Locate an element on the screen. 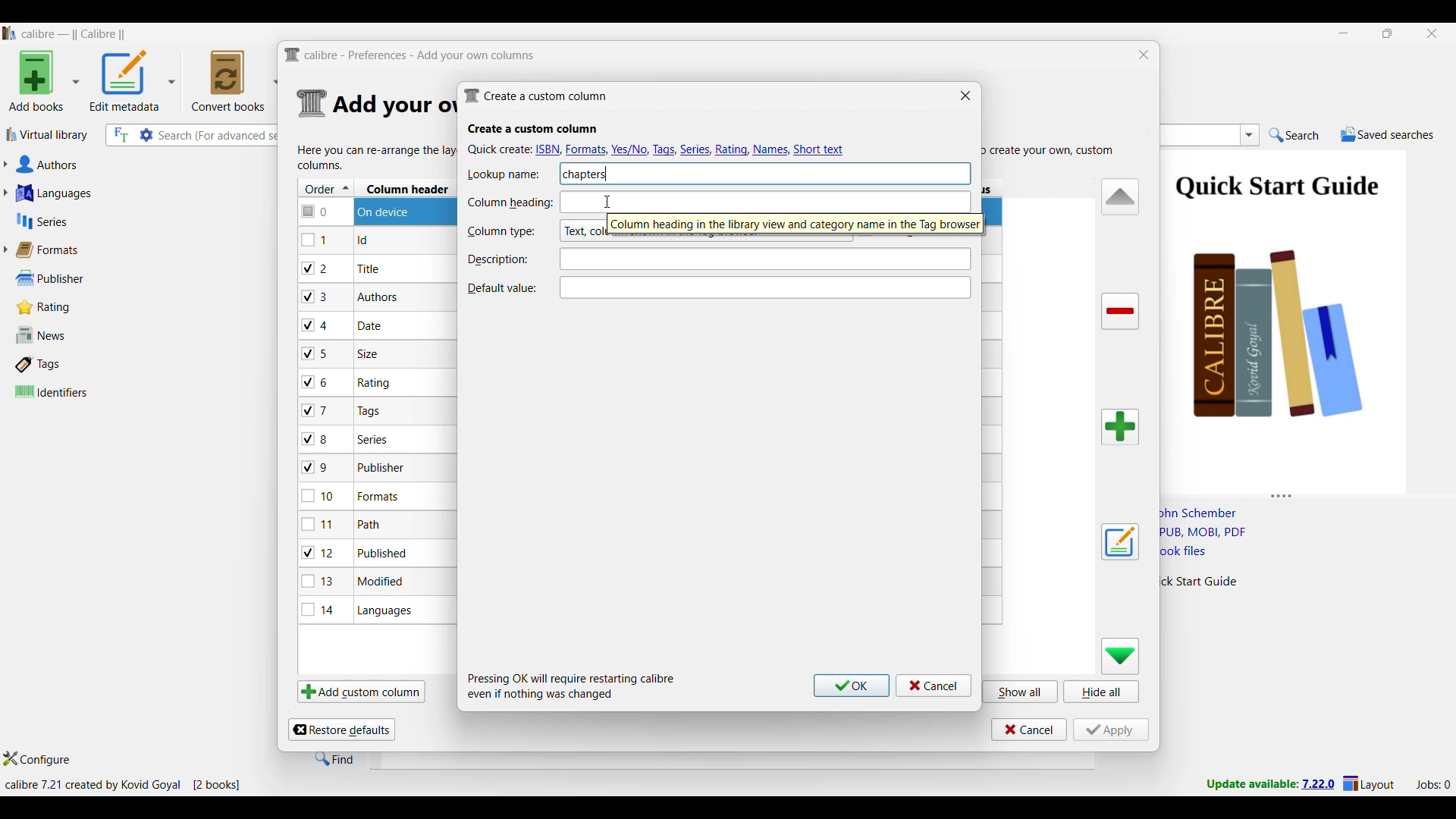 This screenshot has width=1456, height=819. text is located at coordinates (793, 173).